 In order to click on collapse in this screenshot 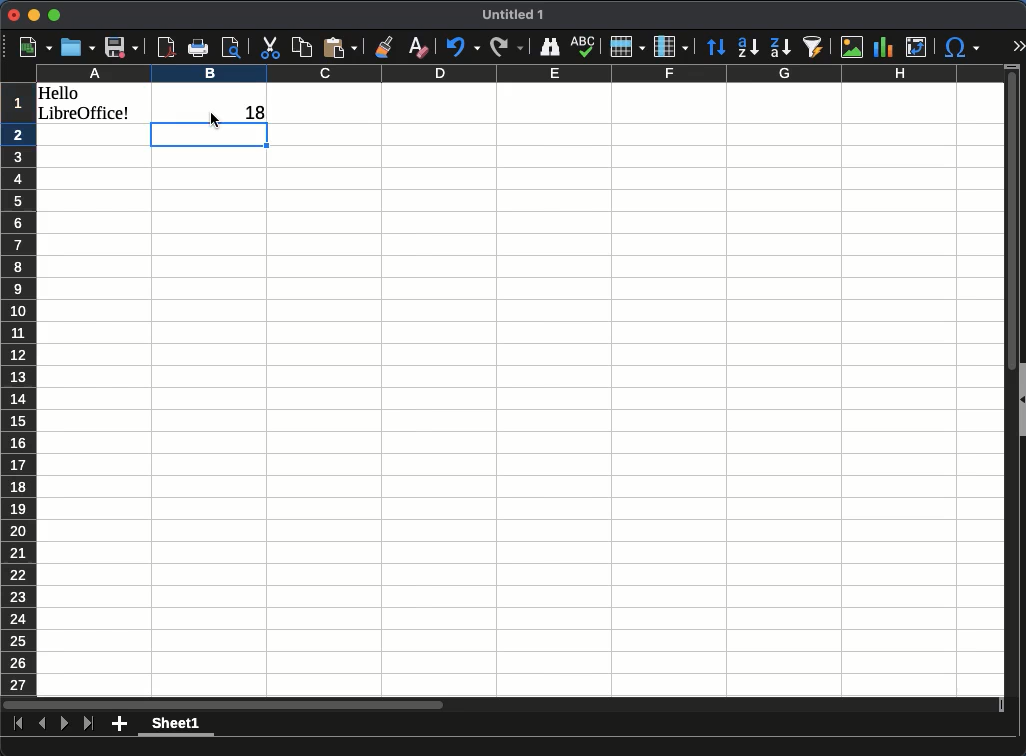, I will do `click(1020, 401)`.